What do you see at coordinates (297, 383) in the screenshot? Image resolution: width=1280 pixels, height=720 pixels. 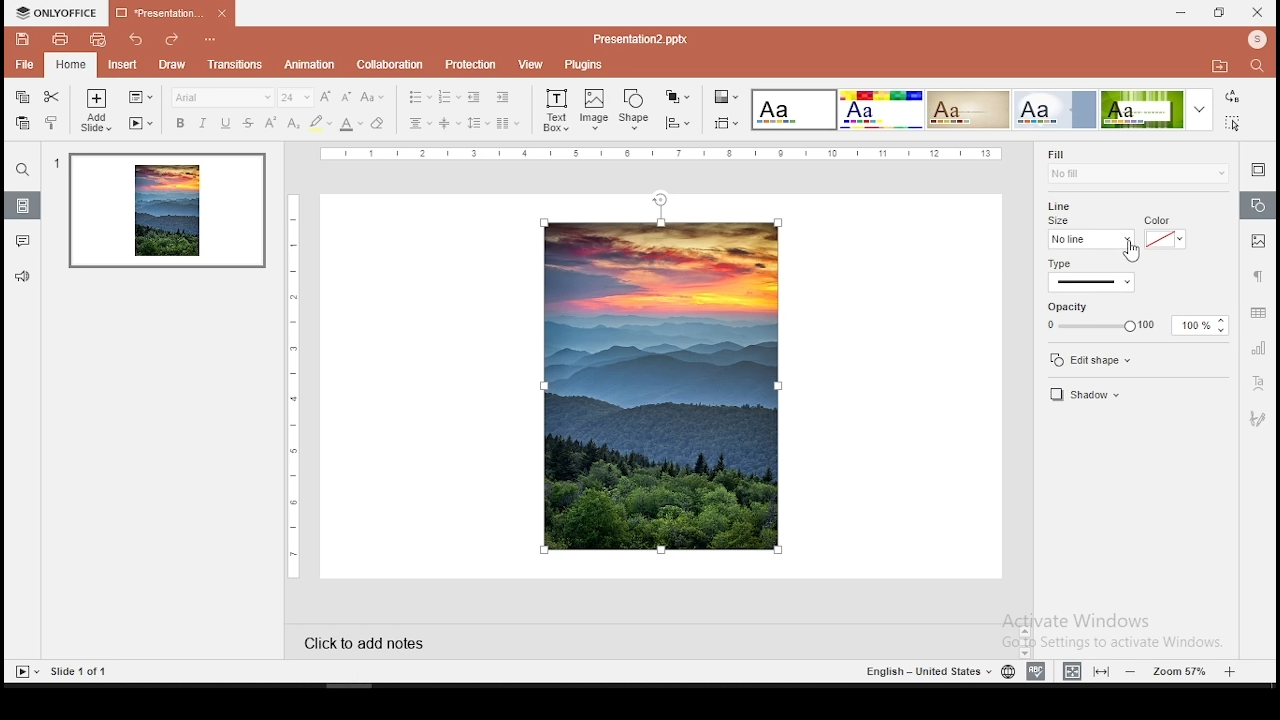 I see `vertical scale` at bounding box center [297, 383].